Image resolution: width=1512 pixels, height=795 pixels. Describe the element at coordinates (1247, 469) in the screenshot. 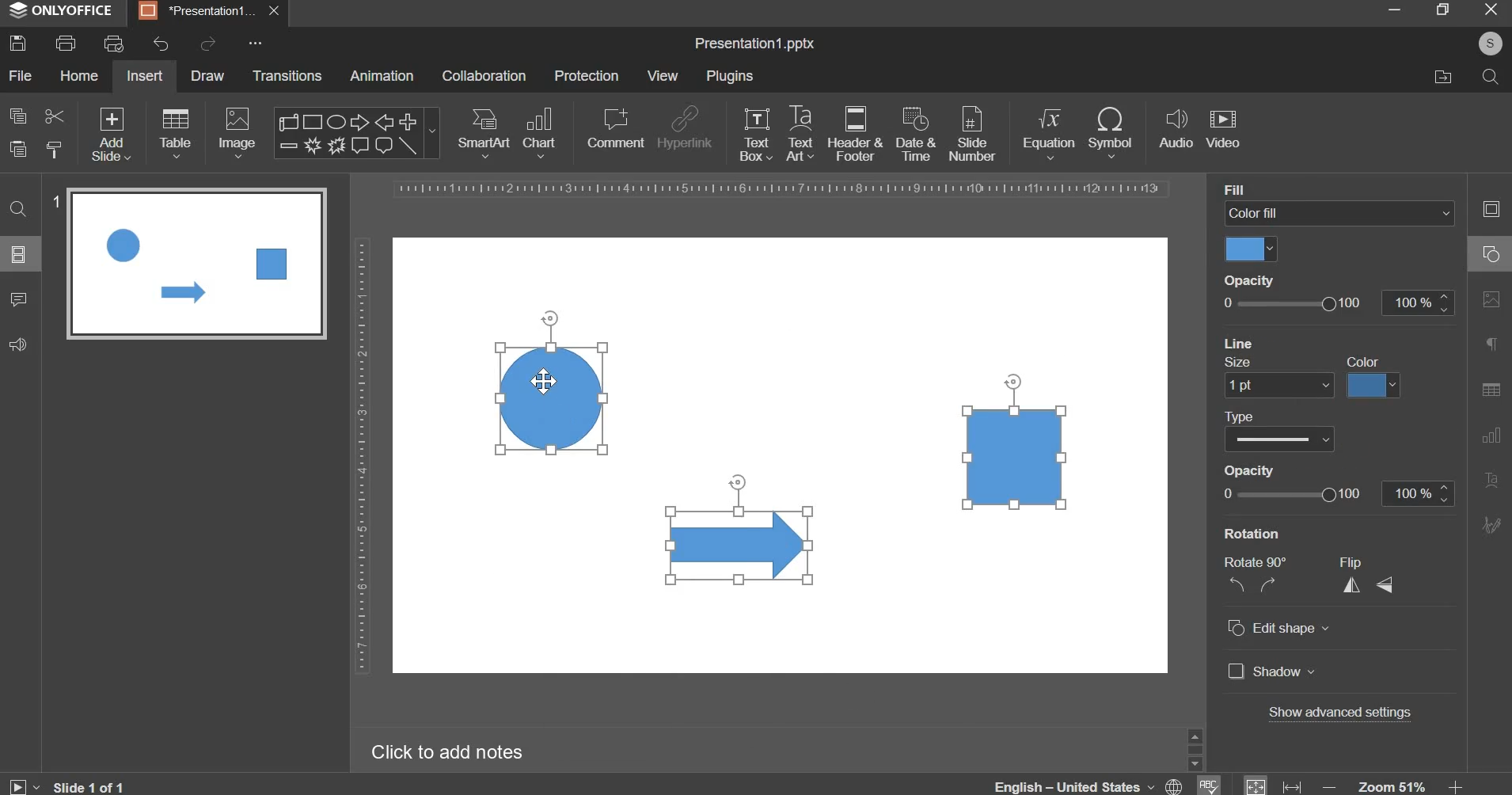

I see `opacity` at that location.